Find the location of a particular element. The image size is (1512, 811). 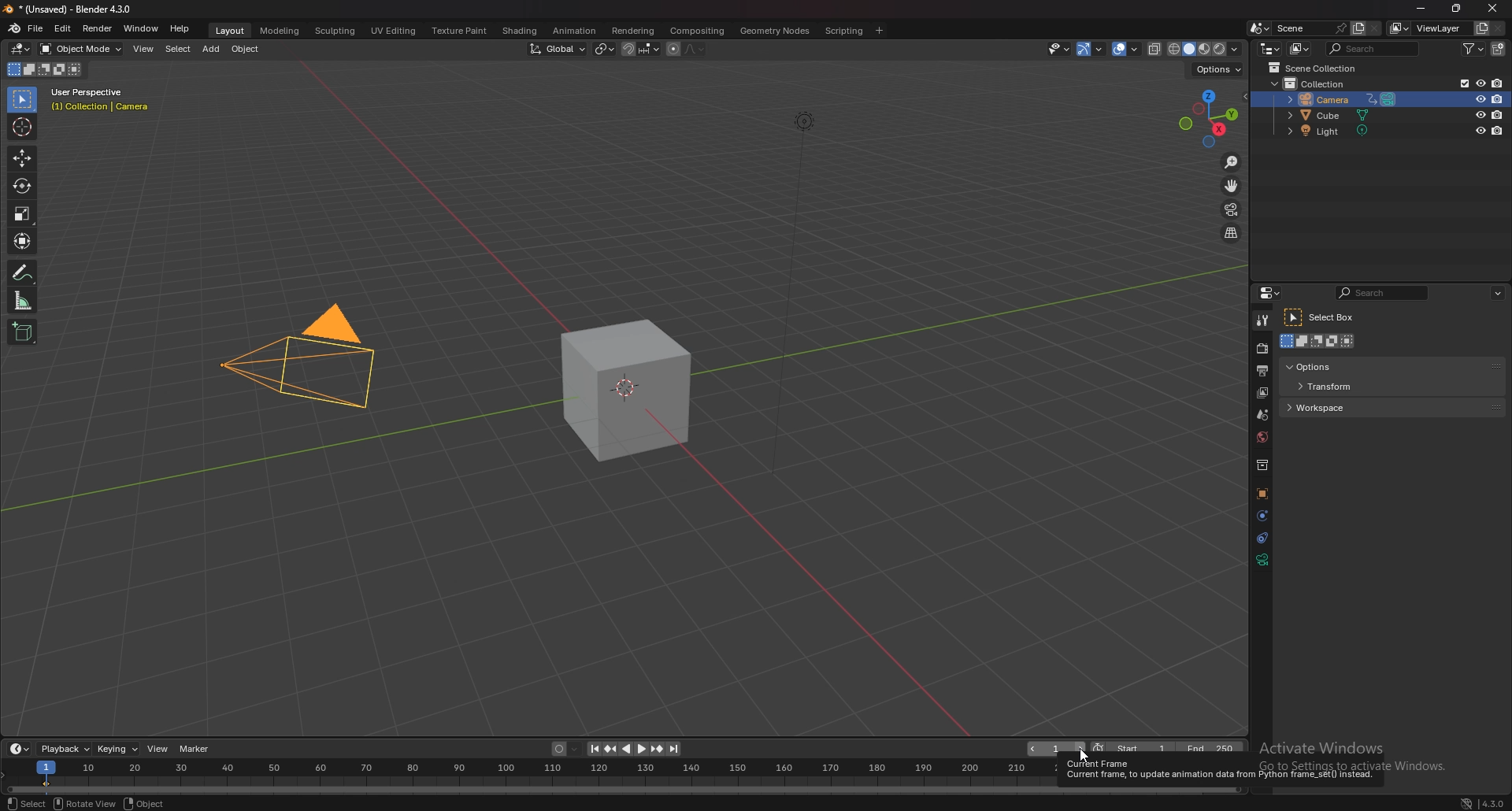

edit is located at coordinates (64, 28).